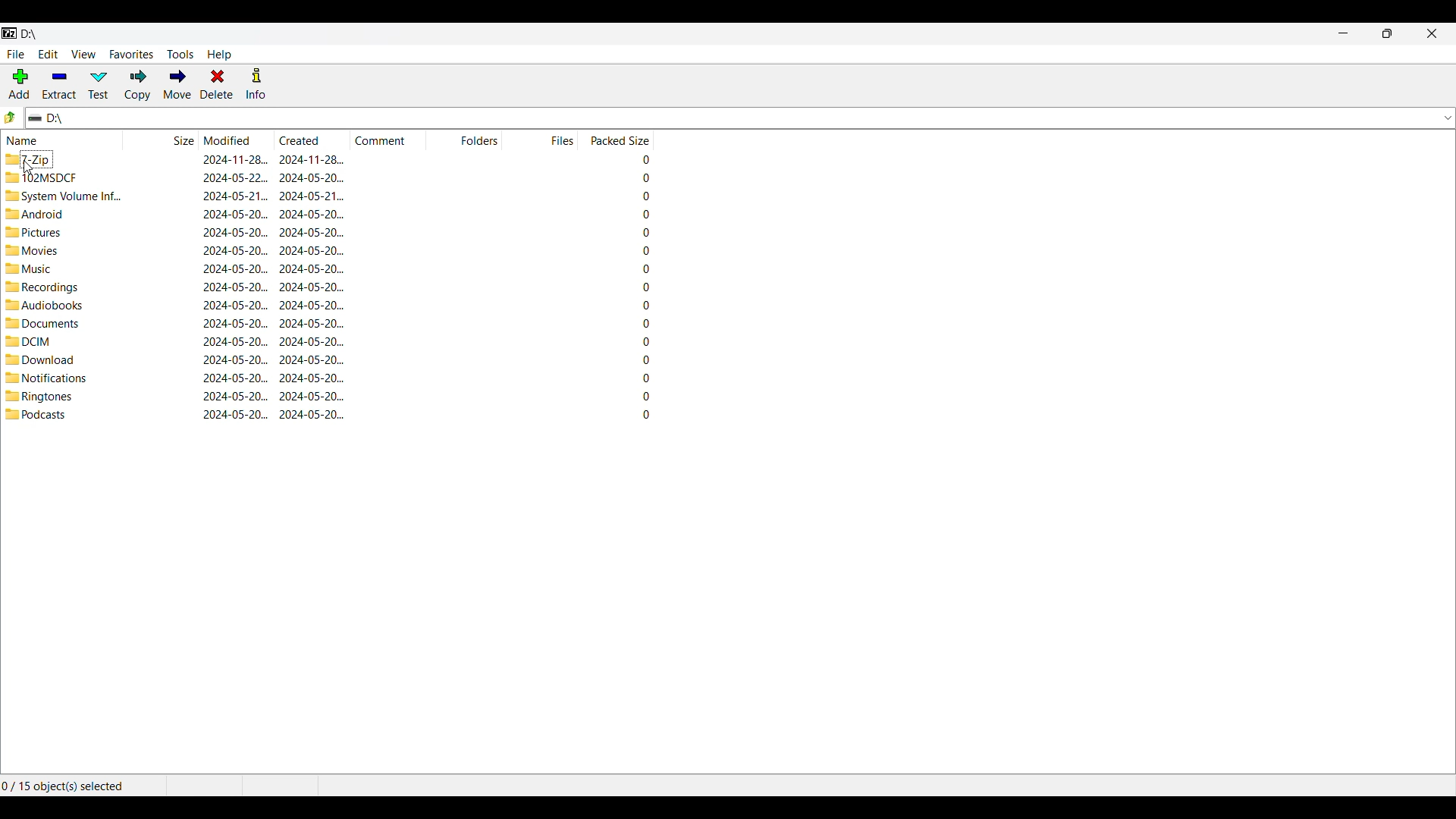  Describe the element at coordinates (637, 159) in the screenshot. I see `packed size` at that location.